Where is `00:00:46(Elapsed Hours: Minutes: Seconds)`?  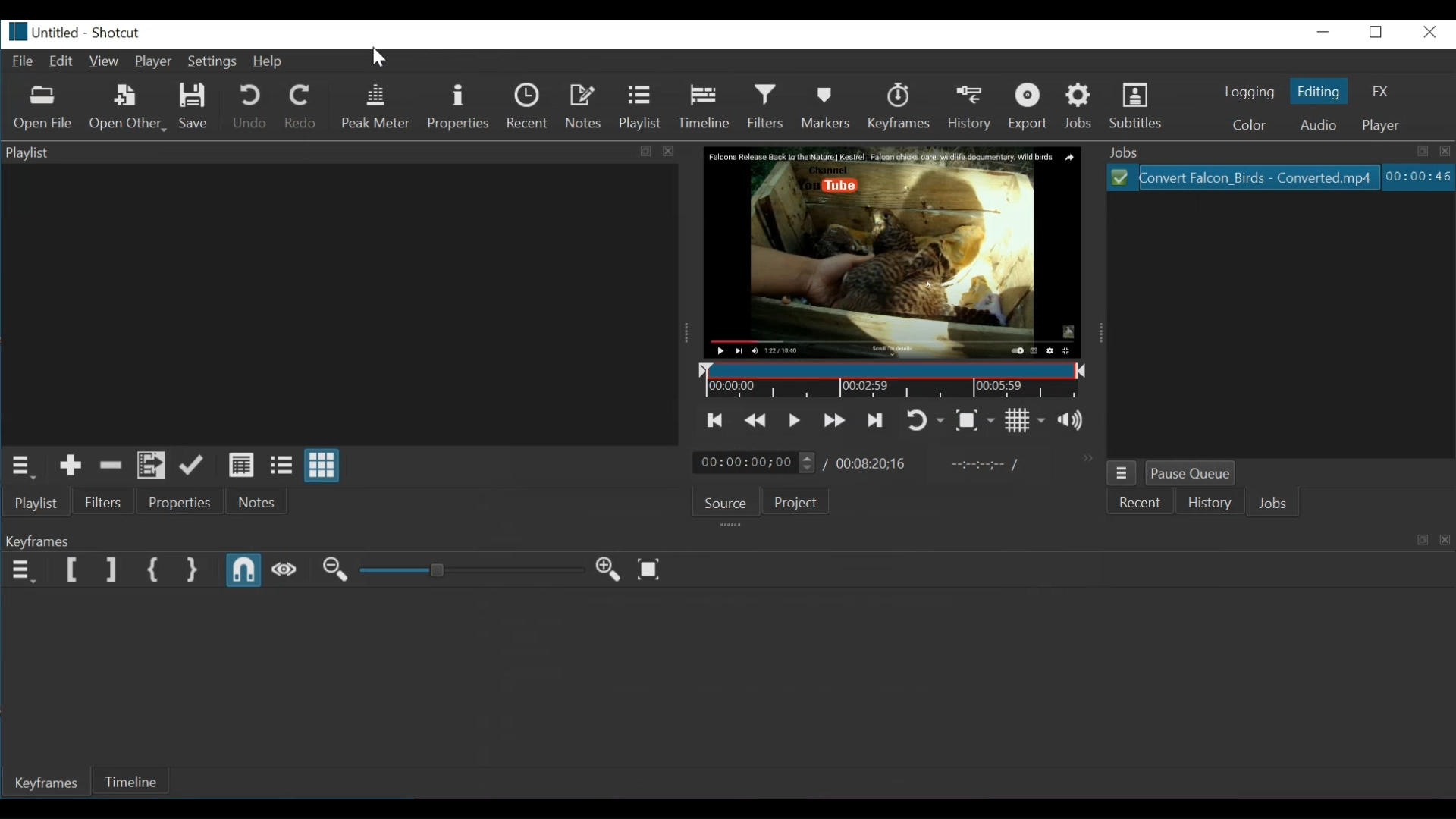 00:00:46(Elapsed Hours: Minutes: Seconds) is located at coordinates (1417, 177).